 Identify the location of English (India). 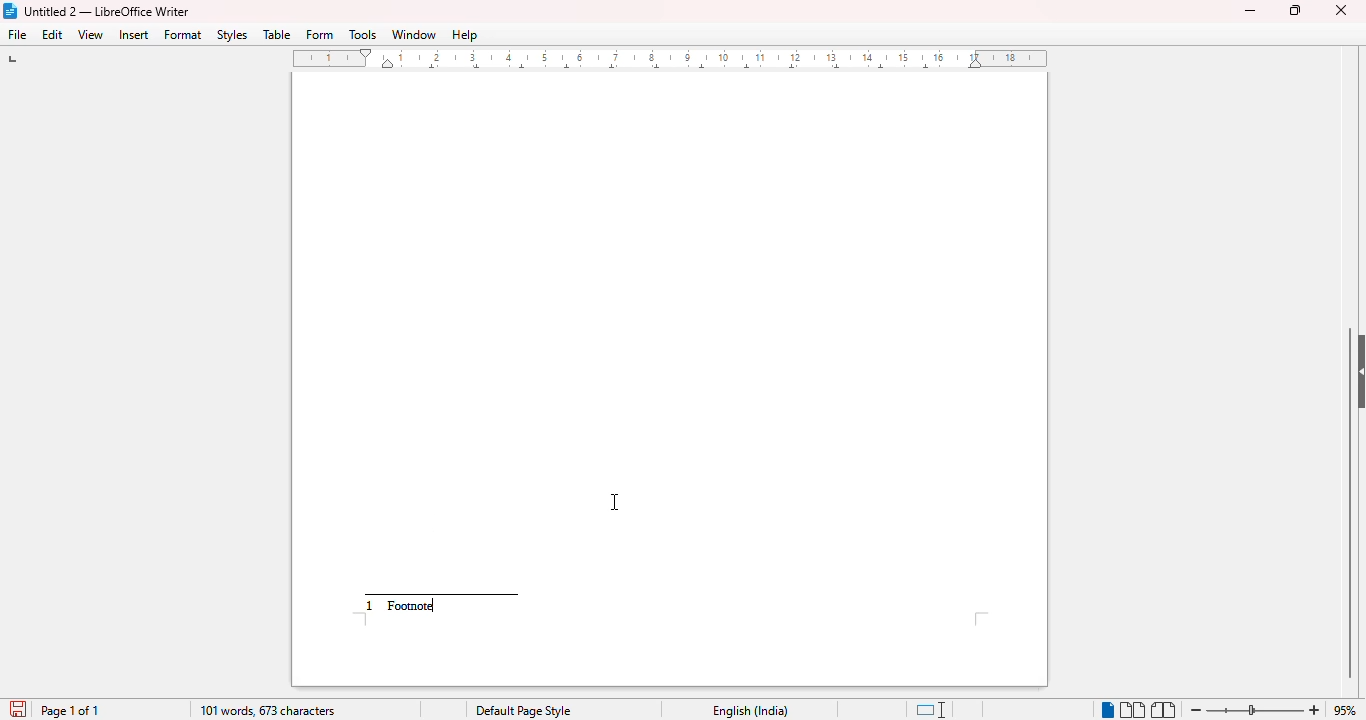
(750, 711).